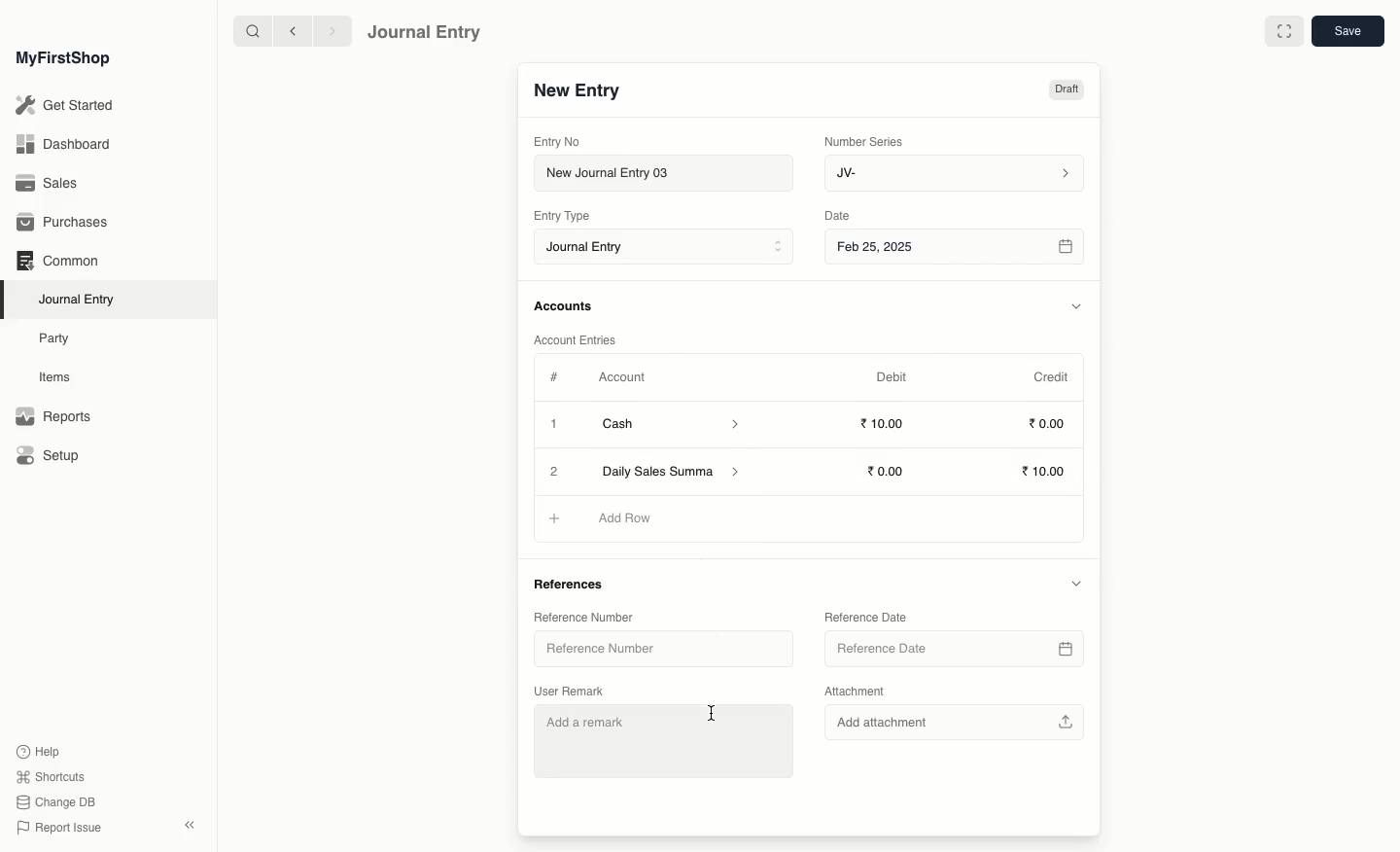  What do you see at coordinates (892, 376) in the screenshot?
I see `Debit` at bounding box center [892, 376].